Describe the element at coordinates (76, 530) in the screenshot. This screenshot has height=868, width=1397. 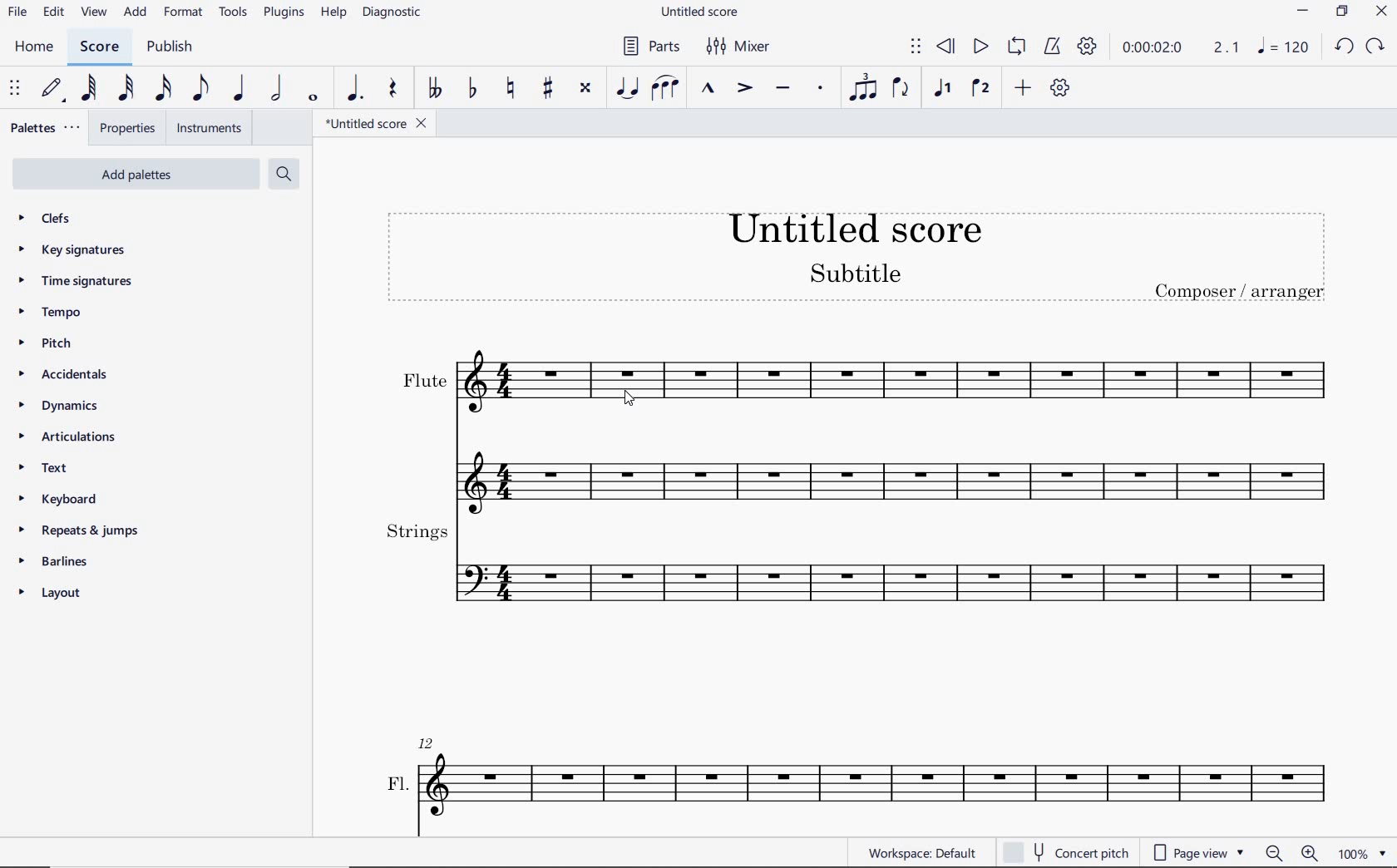
I see `repeats & jumps` at that location.